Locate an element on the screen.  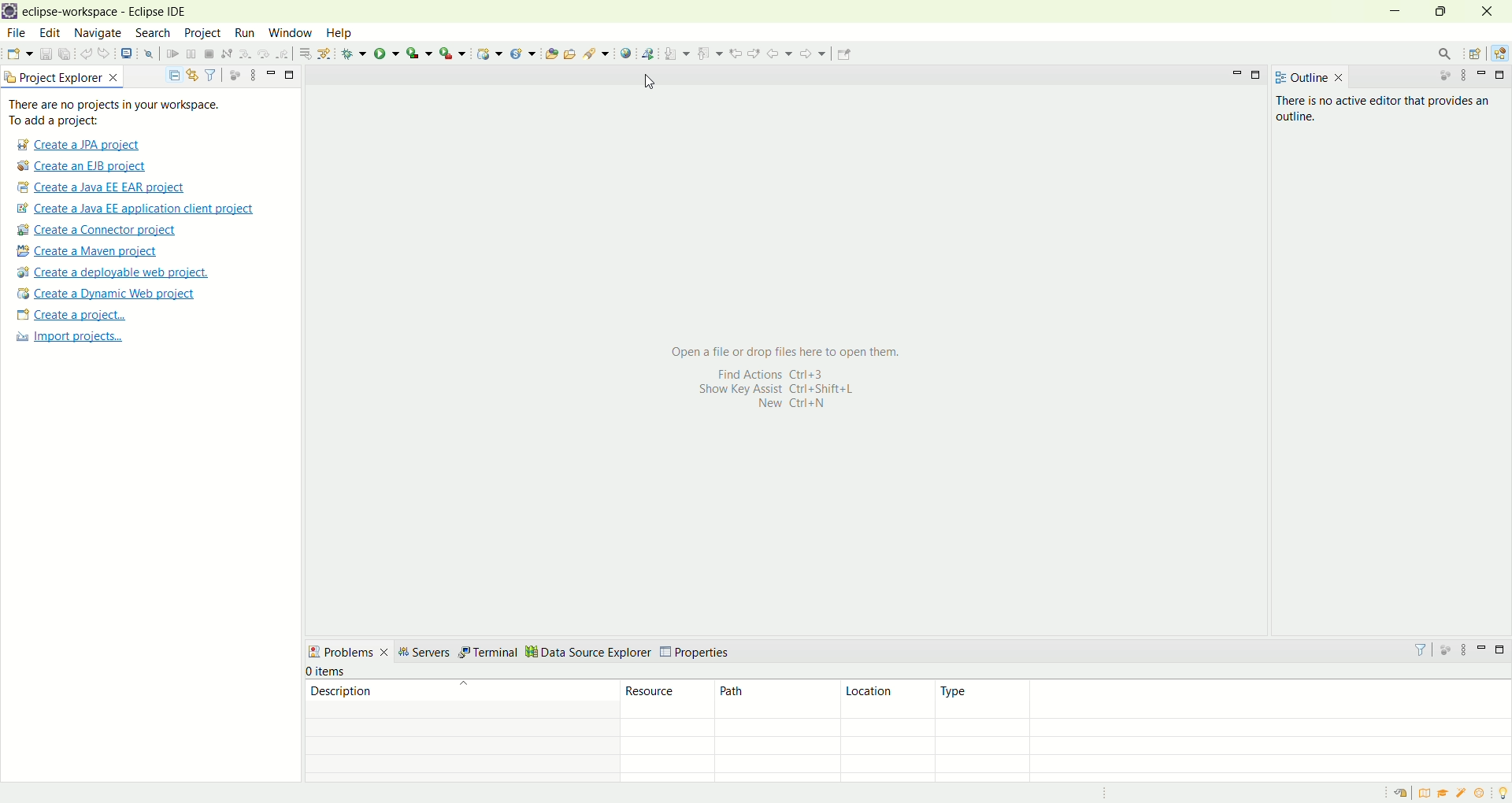
skip all breakpoints is located at coordinates (151, 54).